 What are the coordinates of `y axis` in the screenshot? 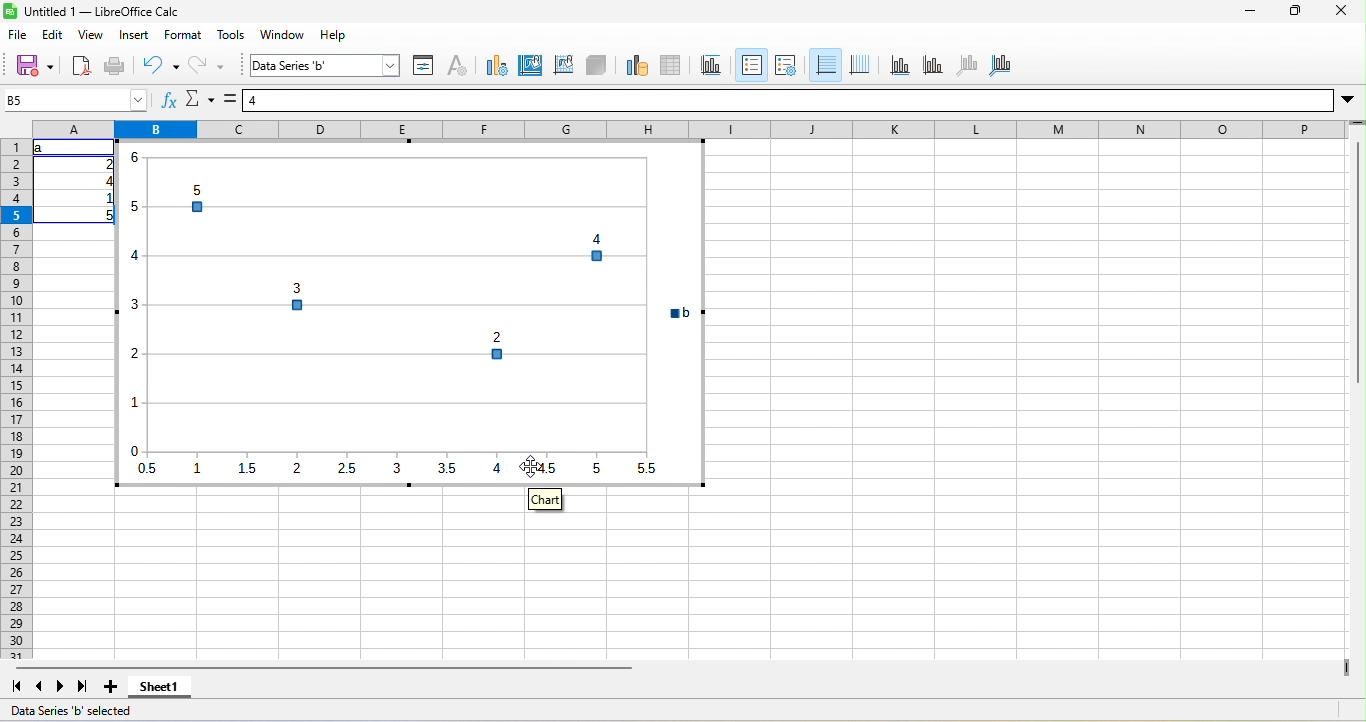 It's located at (934, 67).